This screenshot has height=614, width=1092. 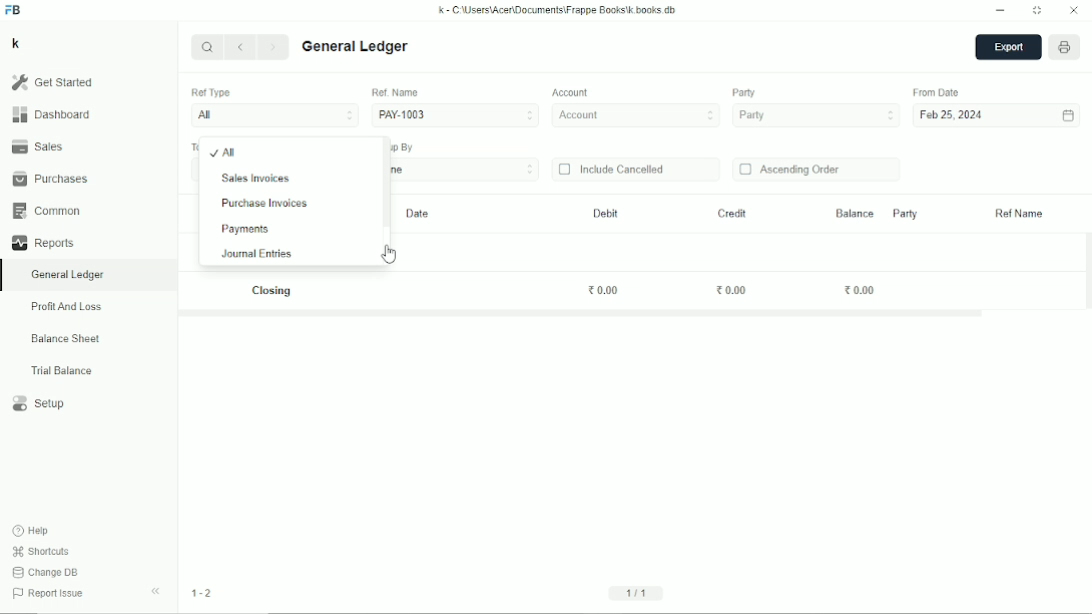 What do you see at coordinates (68, 275) in the screenshot?
I see `General ledger` at bounding box center [68, 275].